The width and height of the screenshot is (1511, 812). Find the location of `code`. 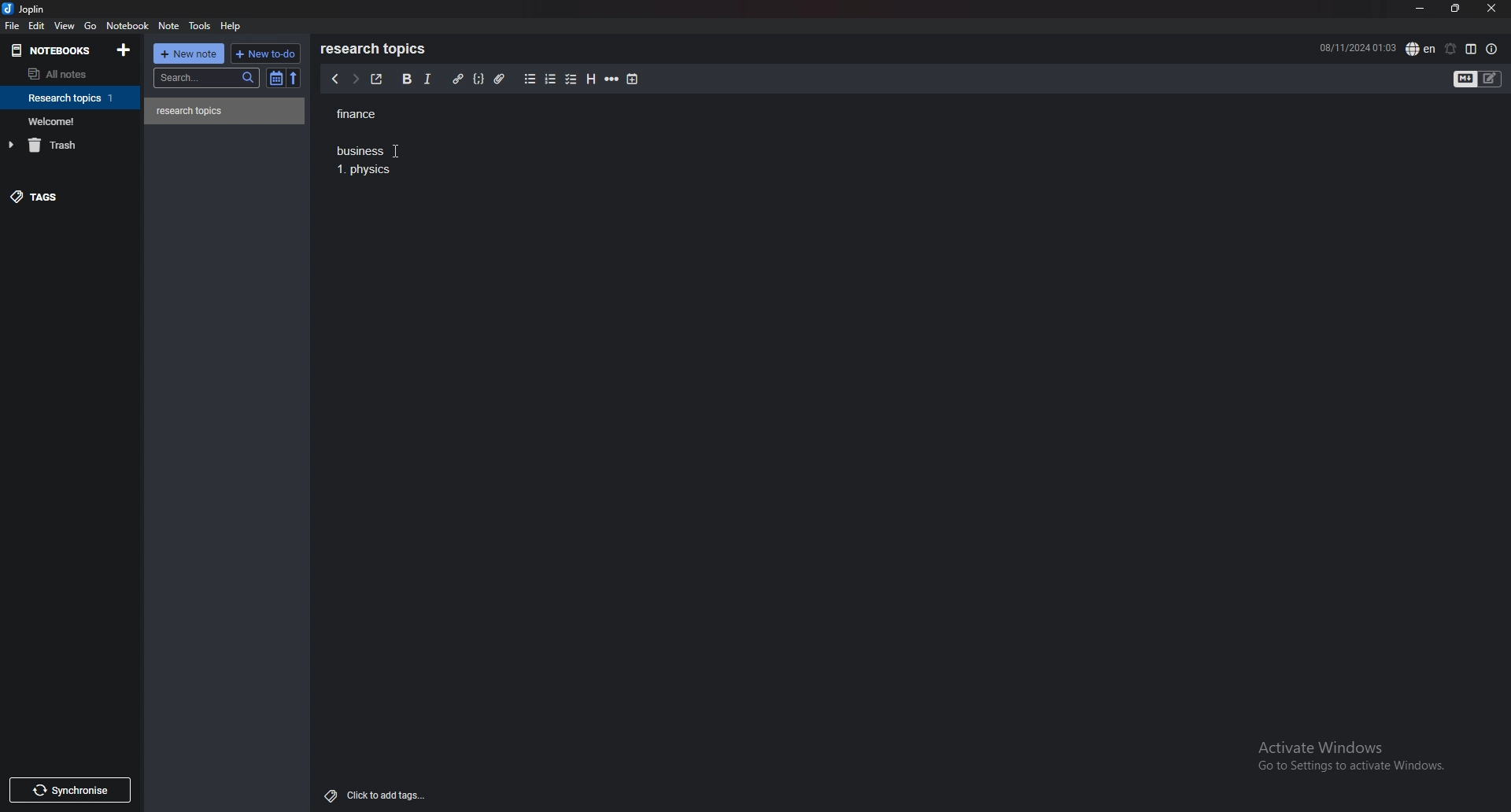

code is located at coordinates (479, 78).